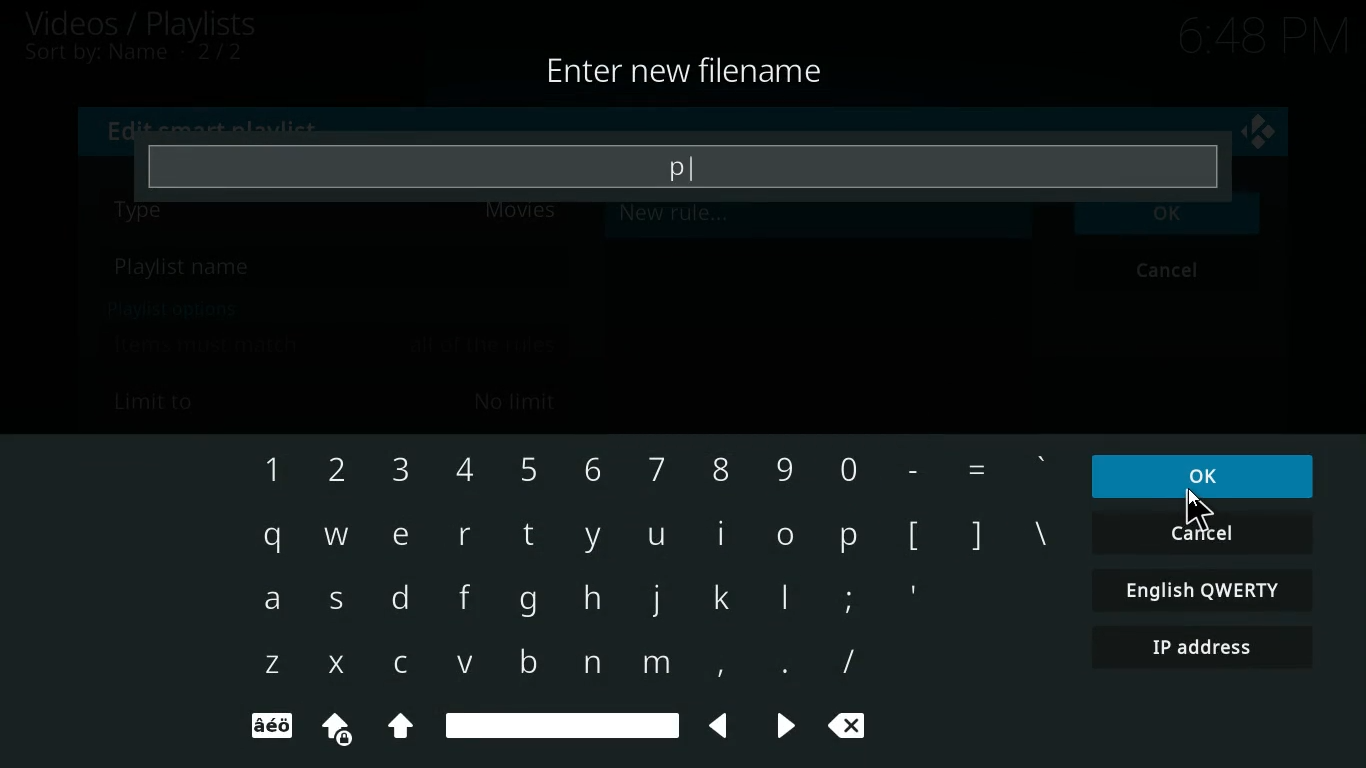  Describe the element at coordinates (466, 665) in the screenshot. I see `v` at that location.